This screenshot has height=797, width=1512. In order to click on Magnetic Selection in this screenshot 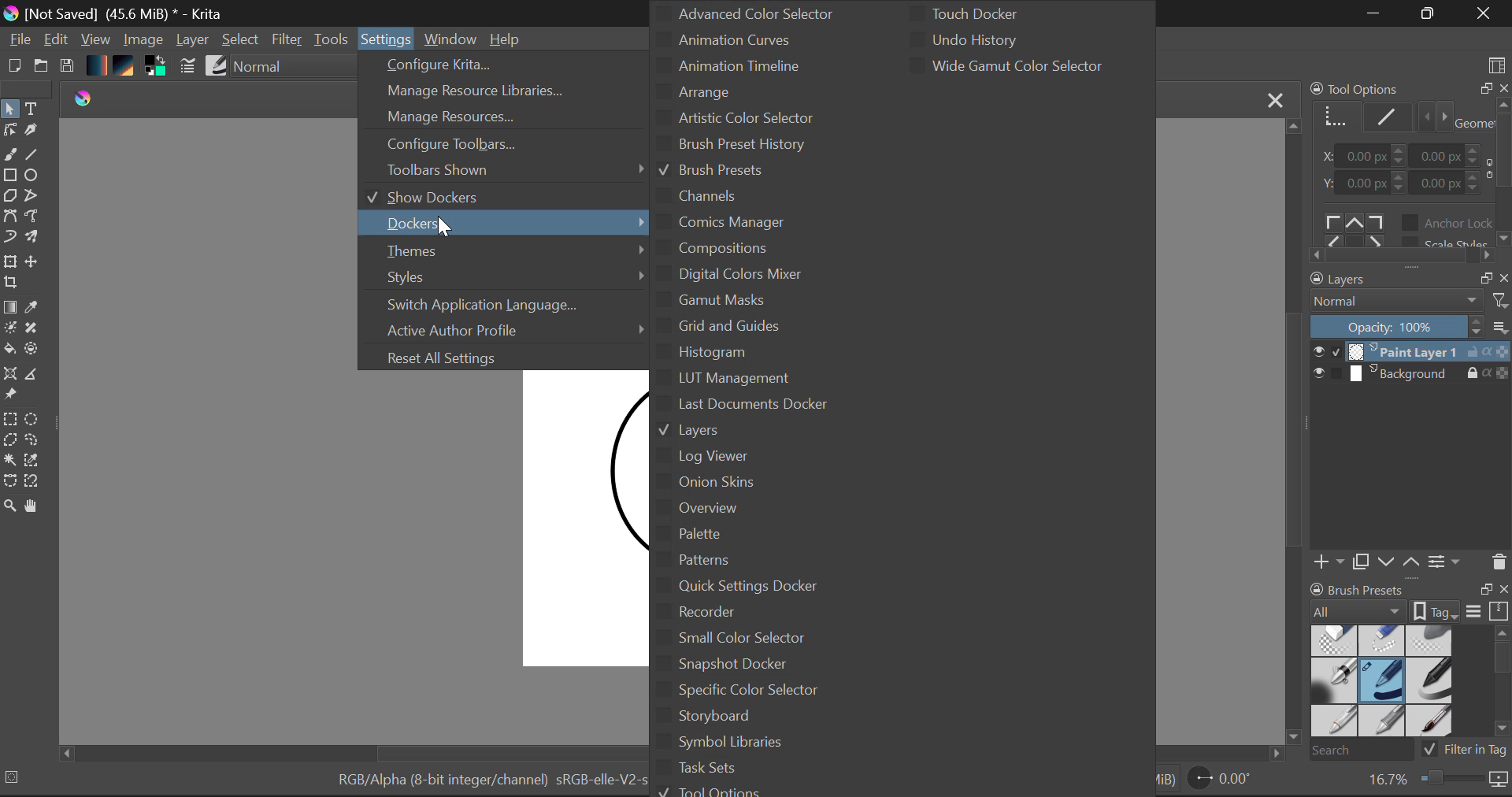, I will do `click(30, 481)`.